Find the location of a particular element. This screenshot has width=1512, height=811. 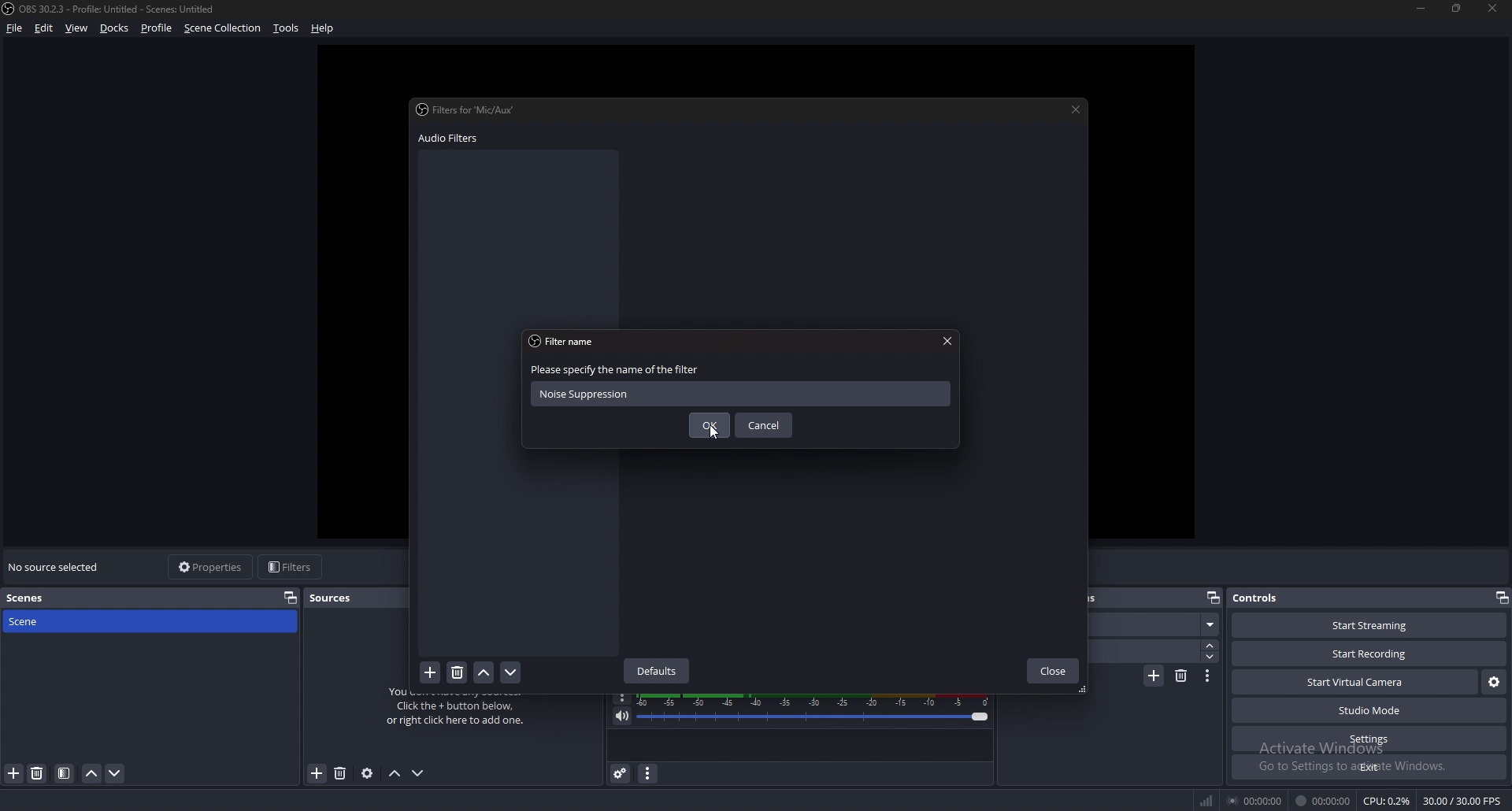

minimize is located at coordinates (1421, 9).